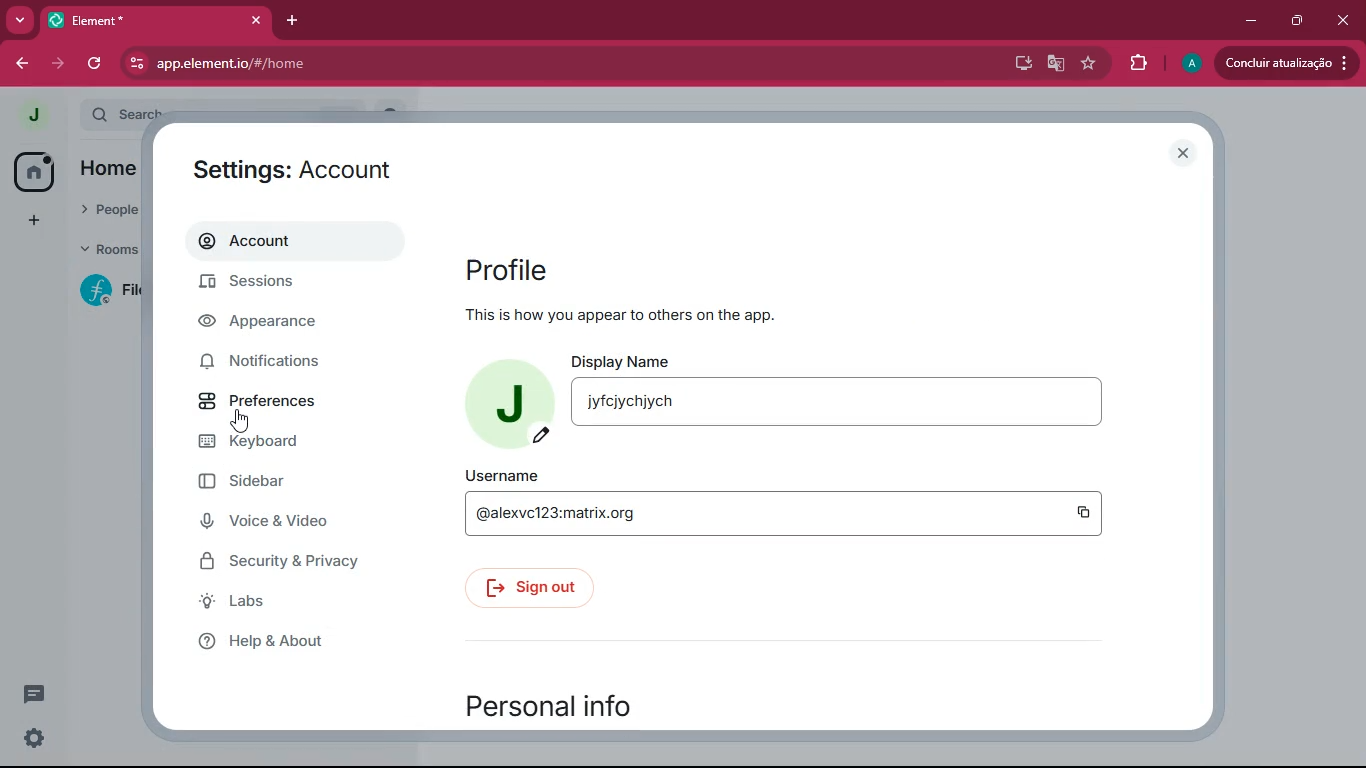 The height and width of the screenshot is (768, 1366). What do you see at coordinates (349, 64) in the screenshot?
I see `app.element.io/#/home` at bounding box center [349, 64].